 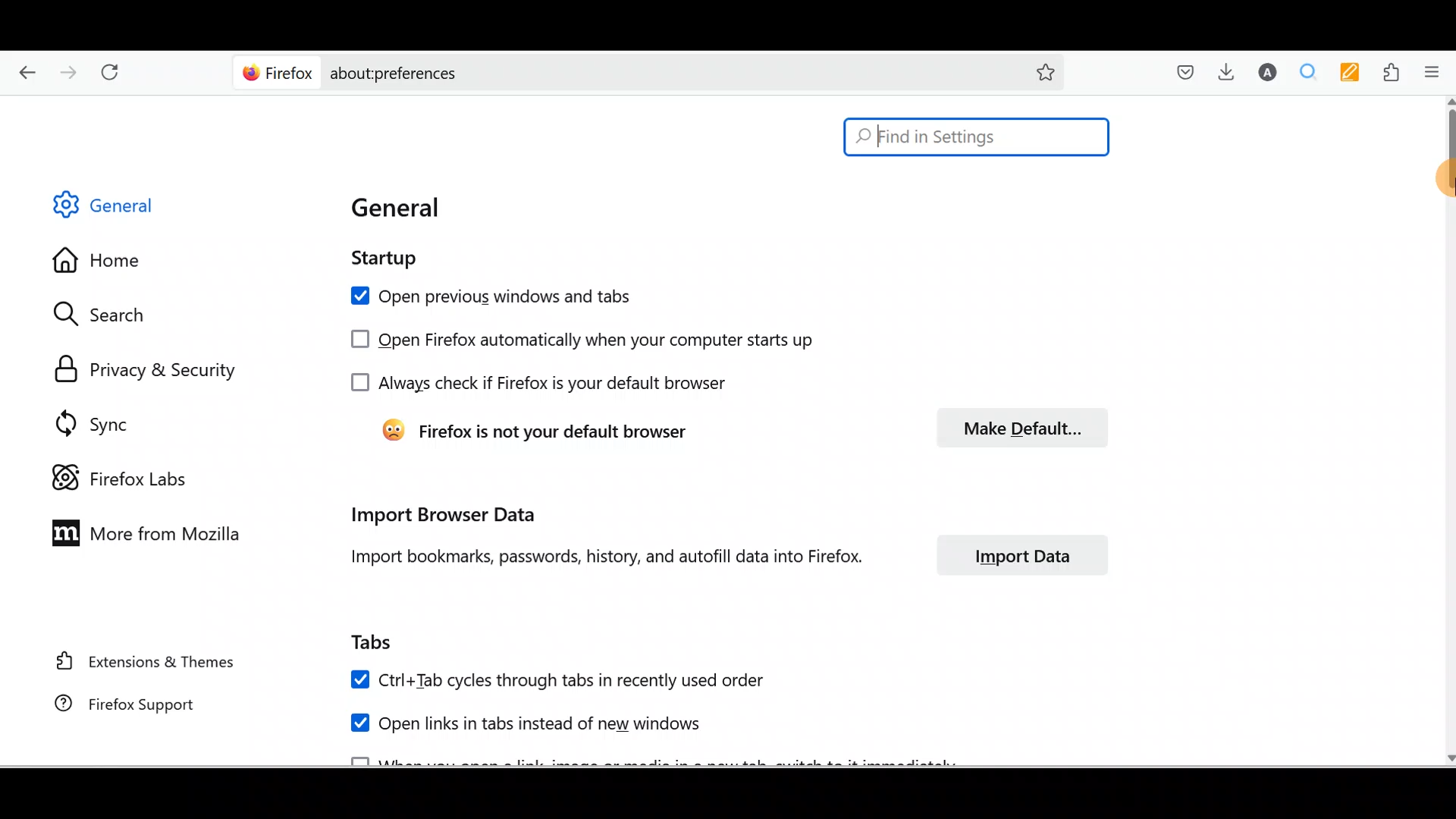 What do you see at coordinates (1179, 72) in the screenshot?
I see `Save to pocket` at bounding box center [1179, 72].